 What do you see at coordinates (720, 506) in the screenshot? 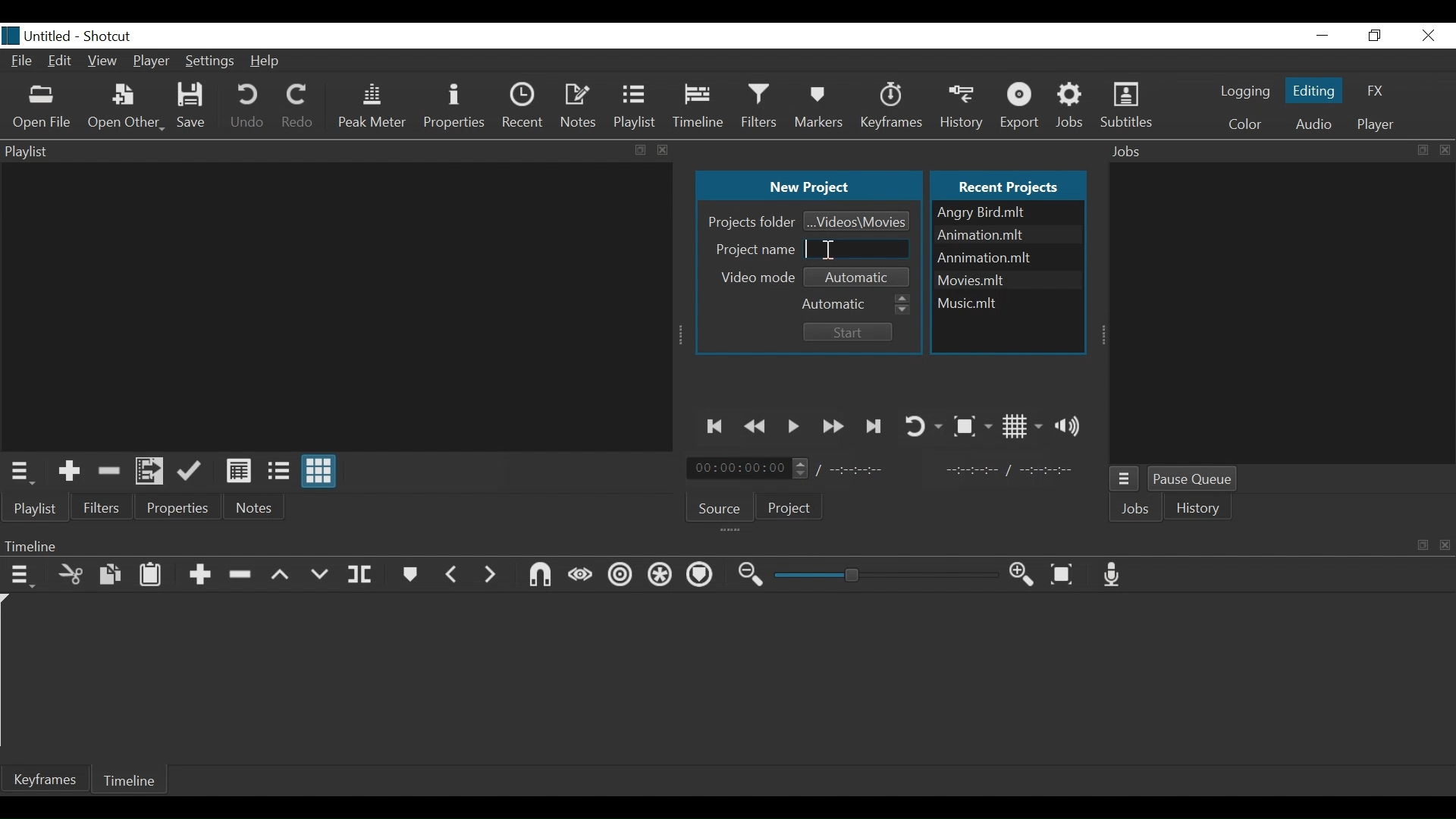
I see `Source` at bounding box center [720, 506].